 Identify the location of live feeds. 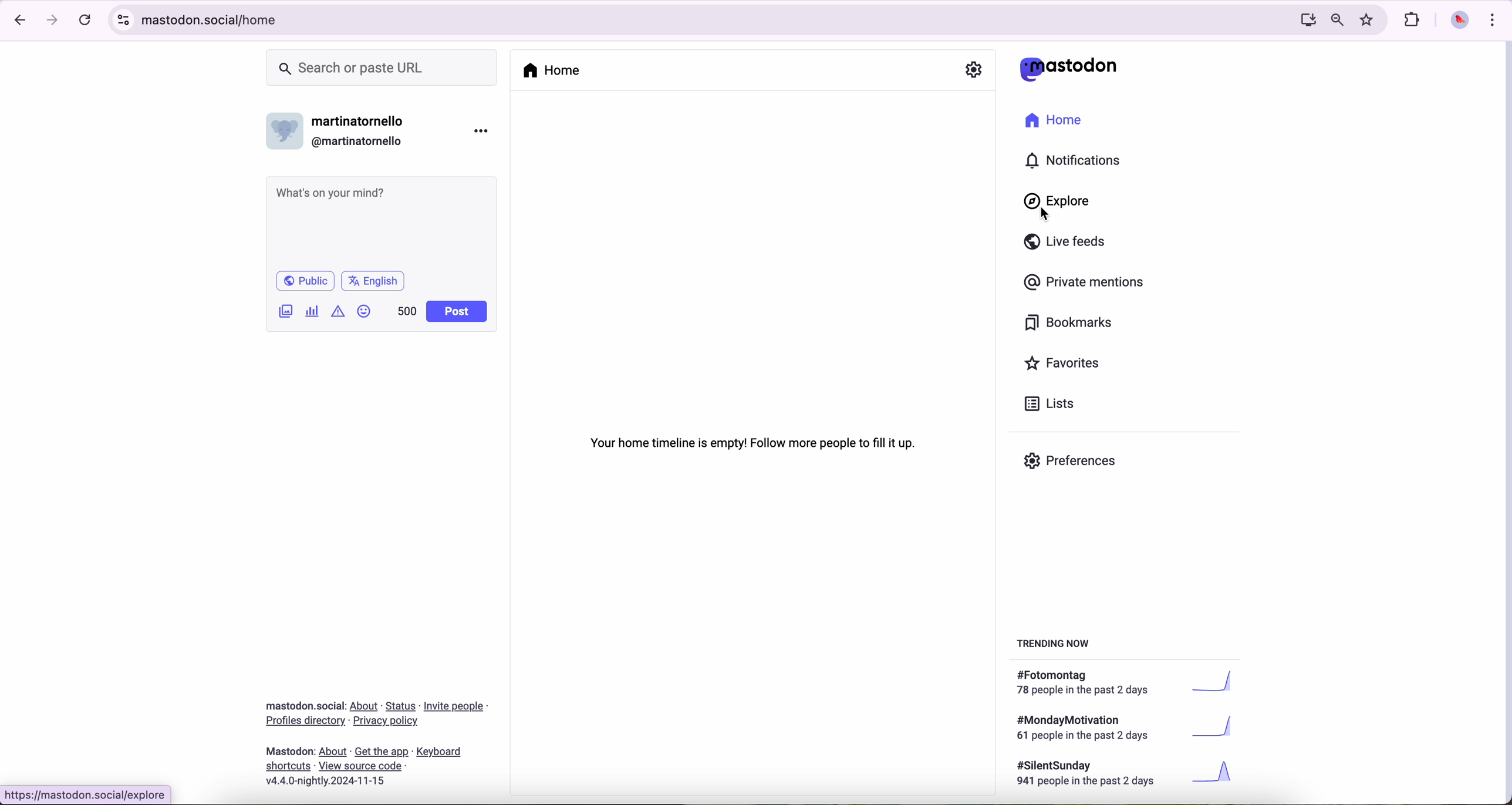
(1069, 244).